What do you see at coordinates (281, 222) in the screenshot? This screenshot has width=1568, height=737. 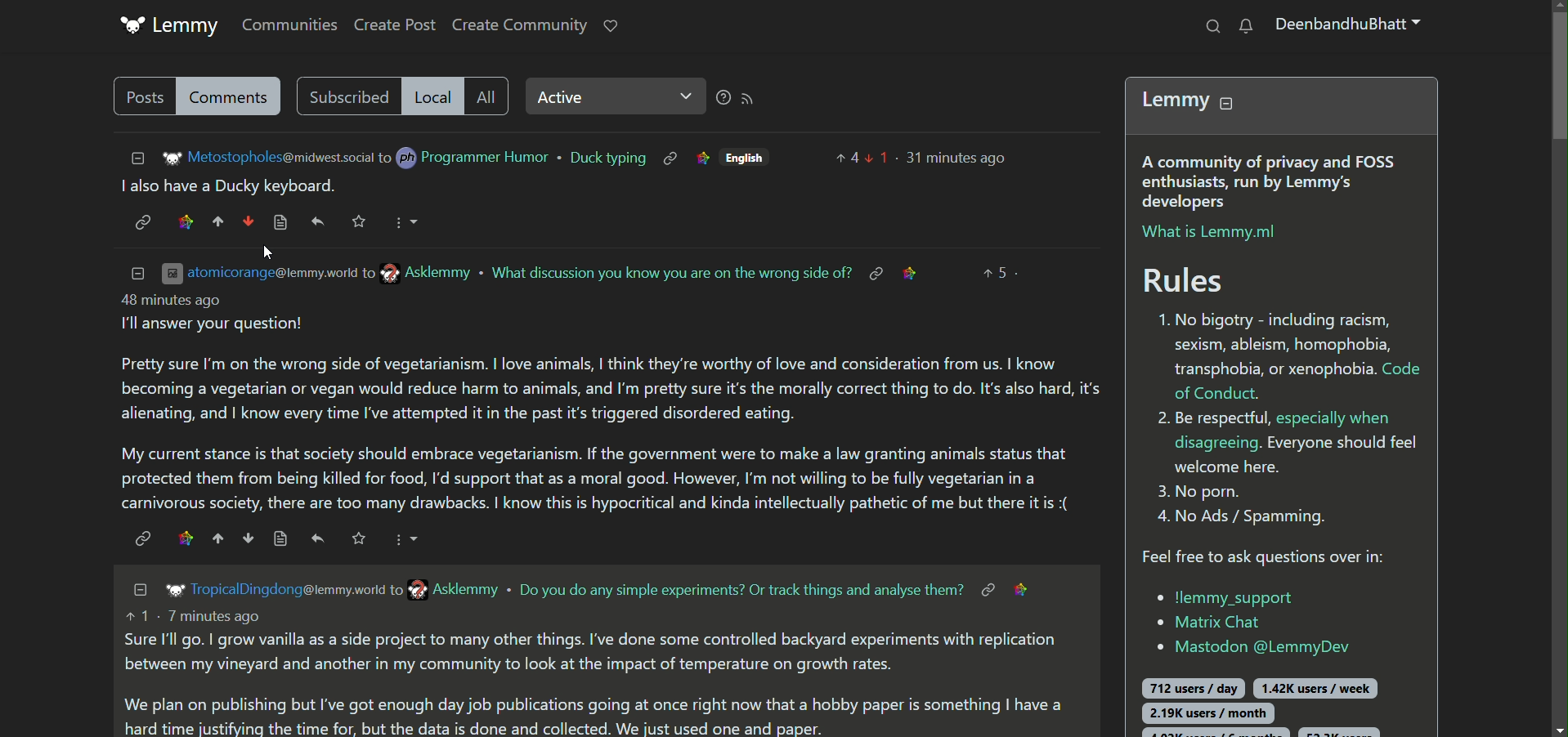 I see `page` at bounding box center [281, 222].